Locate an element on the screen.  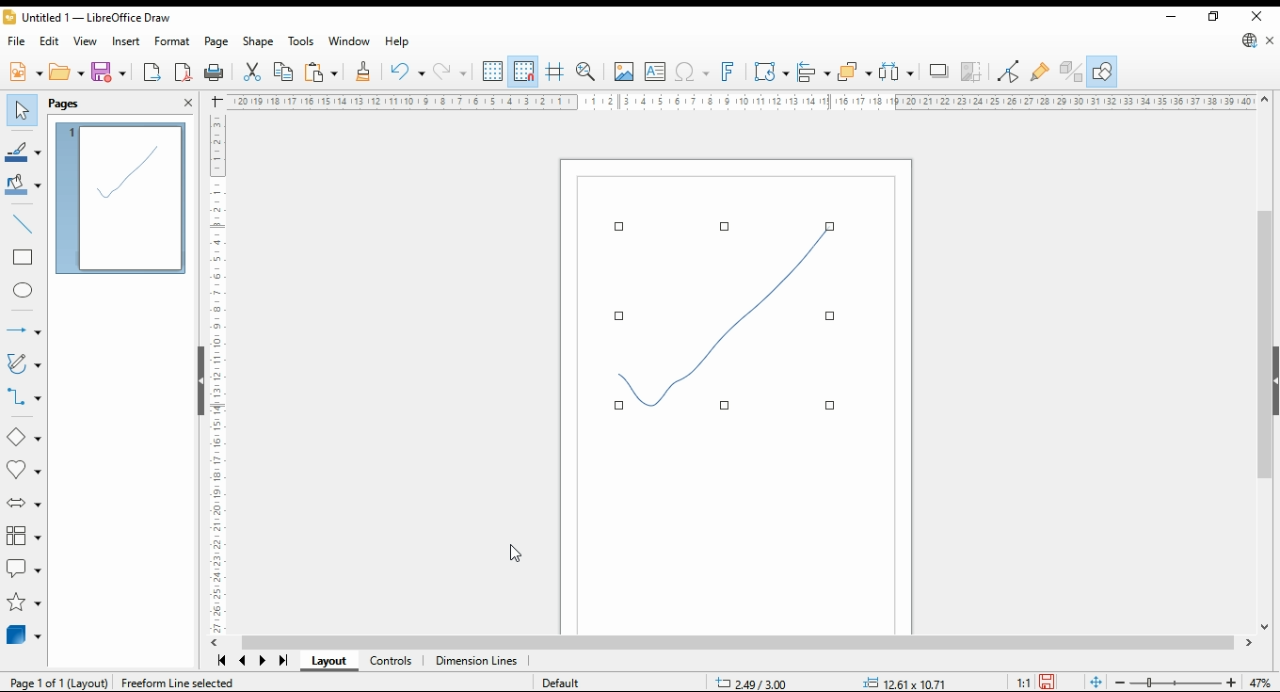
curves and polygons is located at coordinates (22, 363).